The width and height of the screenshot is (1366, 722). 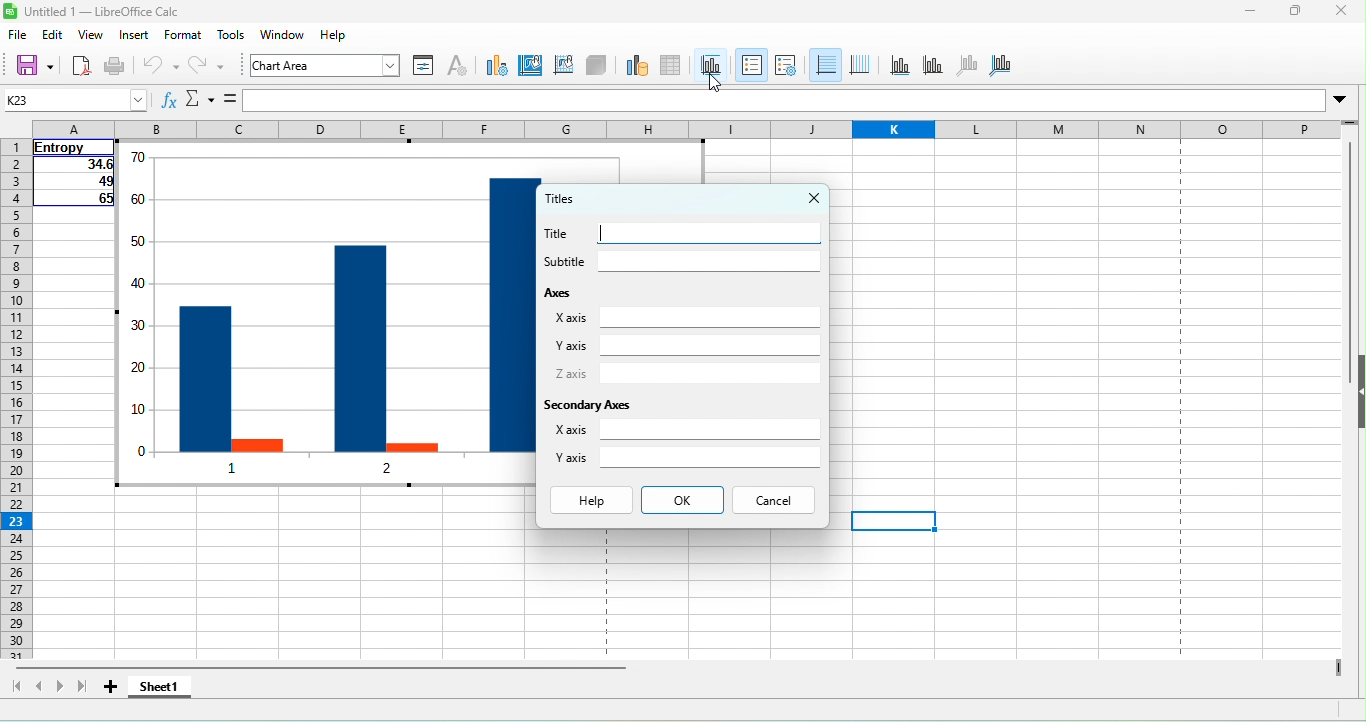 What do you see at coordinates (140, 305) in the screenshot?
I see `y axis values` at bounding box center [140, 305].